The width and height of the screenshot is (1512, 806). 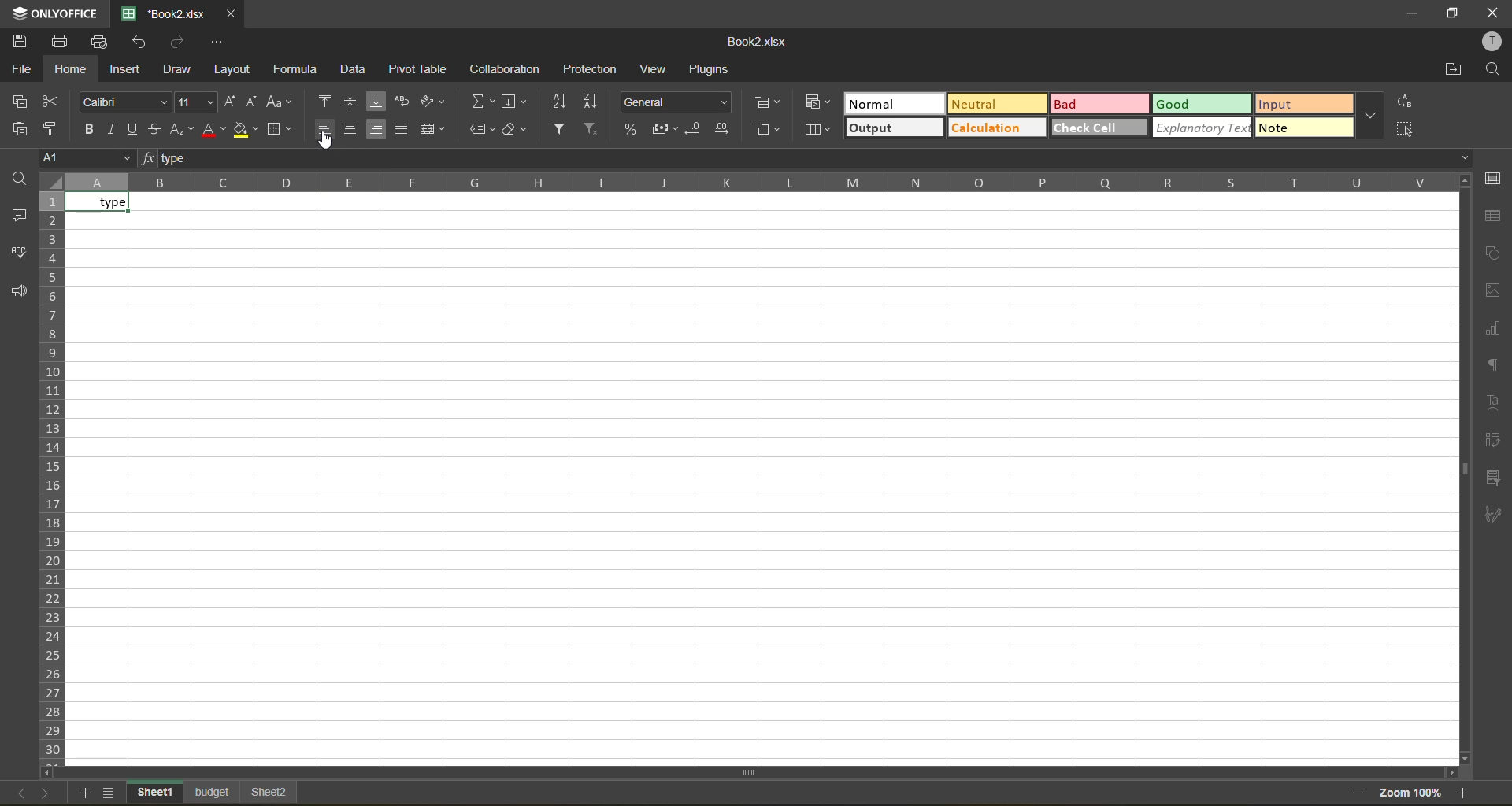 What do you see at coordinates (1202, 105) in the screenshot?
I see `good` at bounding box center [1202, 105].